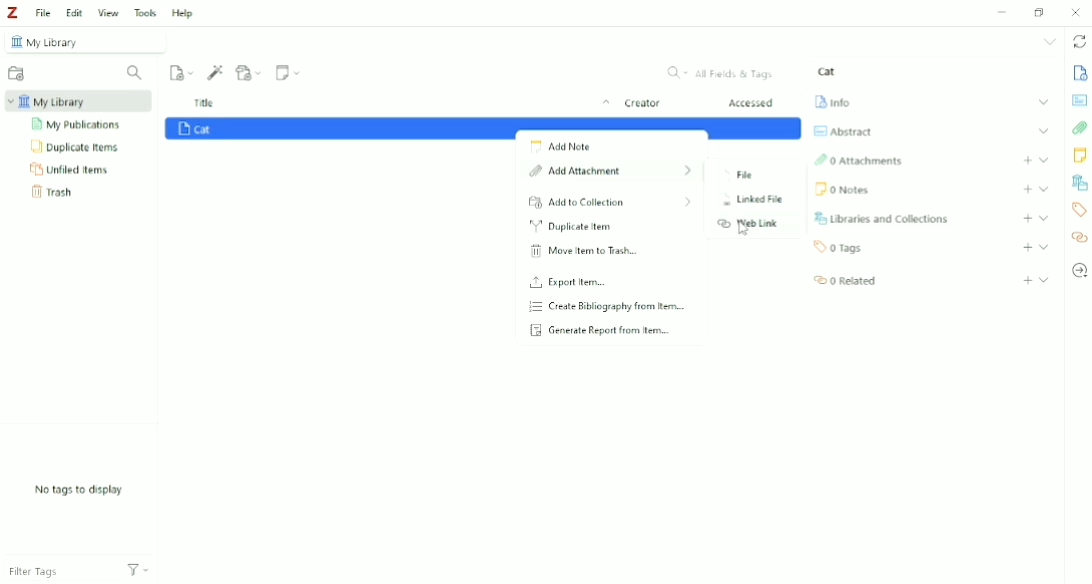 This screenshot has height=584, width=1092. What do you see at coordinates (1079, 270) in the screenshot?
I see `Locate` at bounding box center [1079, 270].